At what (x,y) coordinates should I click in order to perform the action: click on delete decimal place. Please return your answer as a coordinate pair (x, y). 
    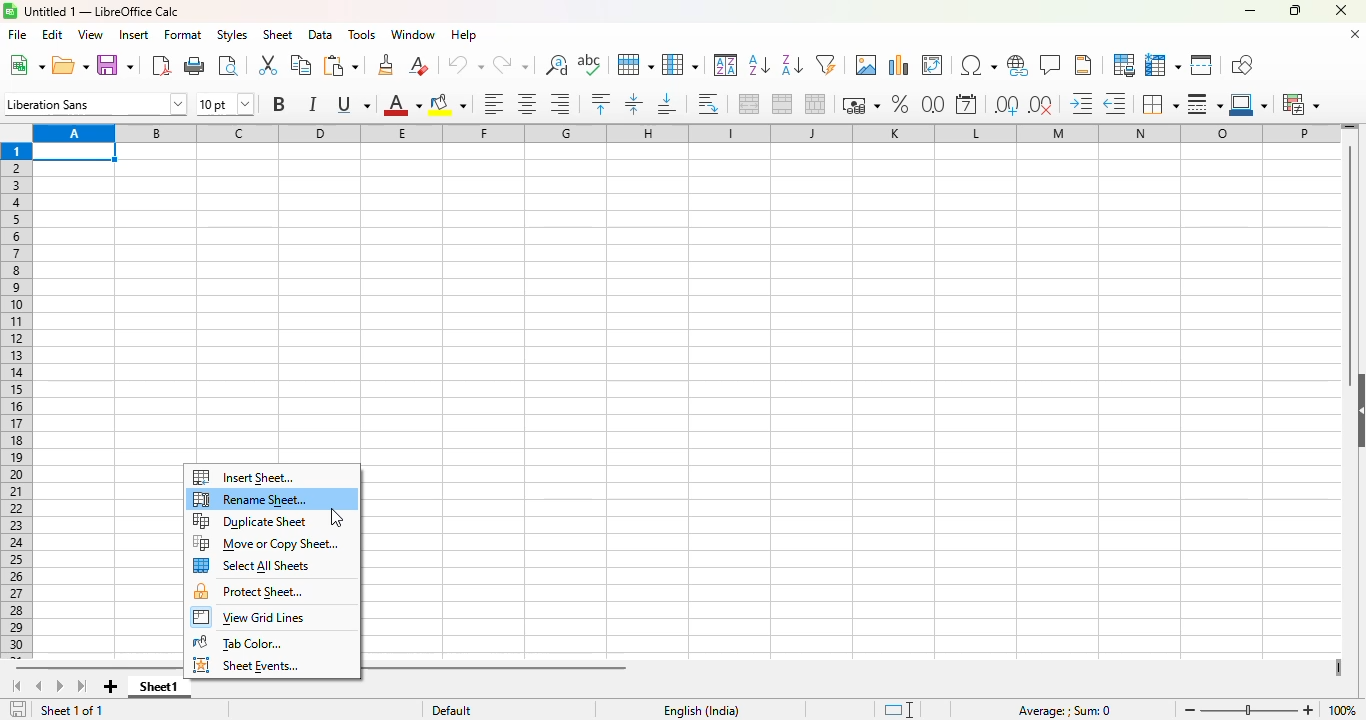
    Looking at the image, I should click on (1042, 105).